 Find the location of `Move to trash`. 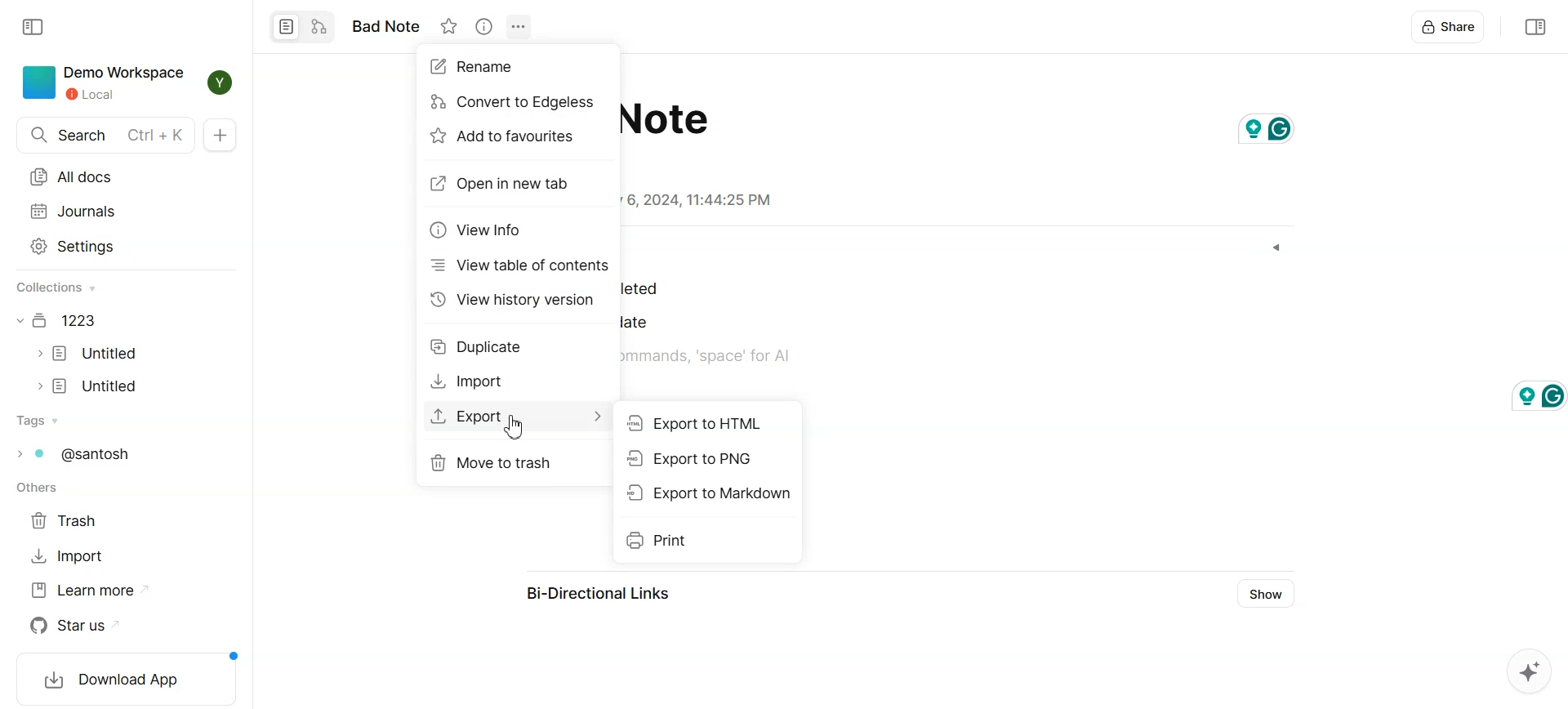

Move to trash is located at coordinates (518, 463).